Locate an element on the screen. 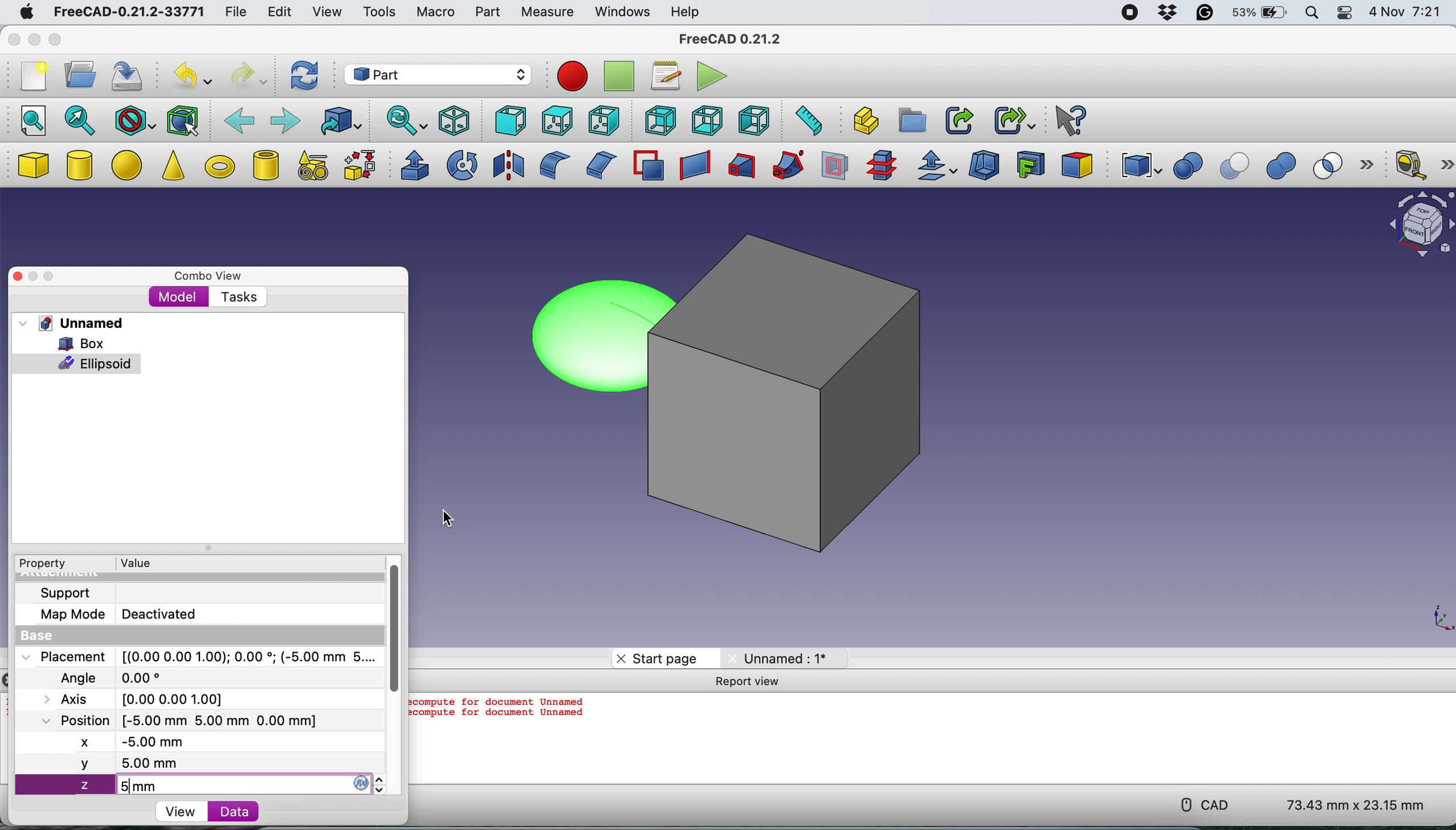 The height and width of the screenshot is (830, 1456). more options is located at coordinates (1371, 166).